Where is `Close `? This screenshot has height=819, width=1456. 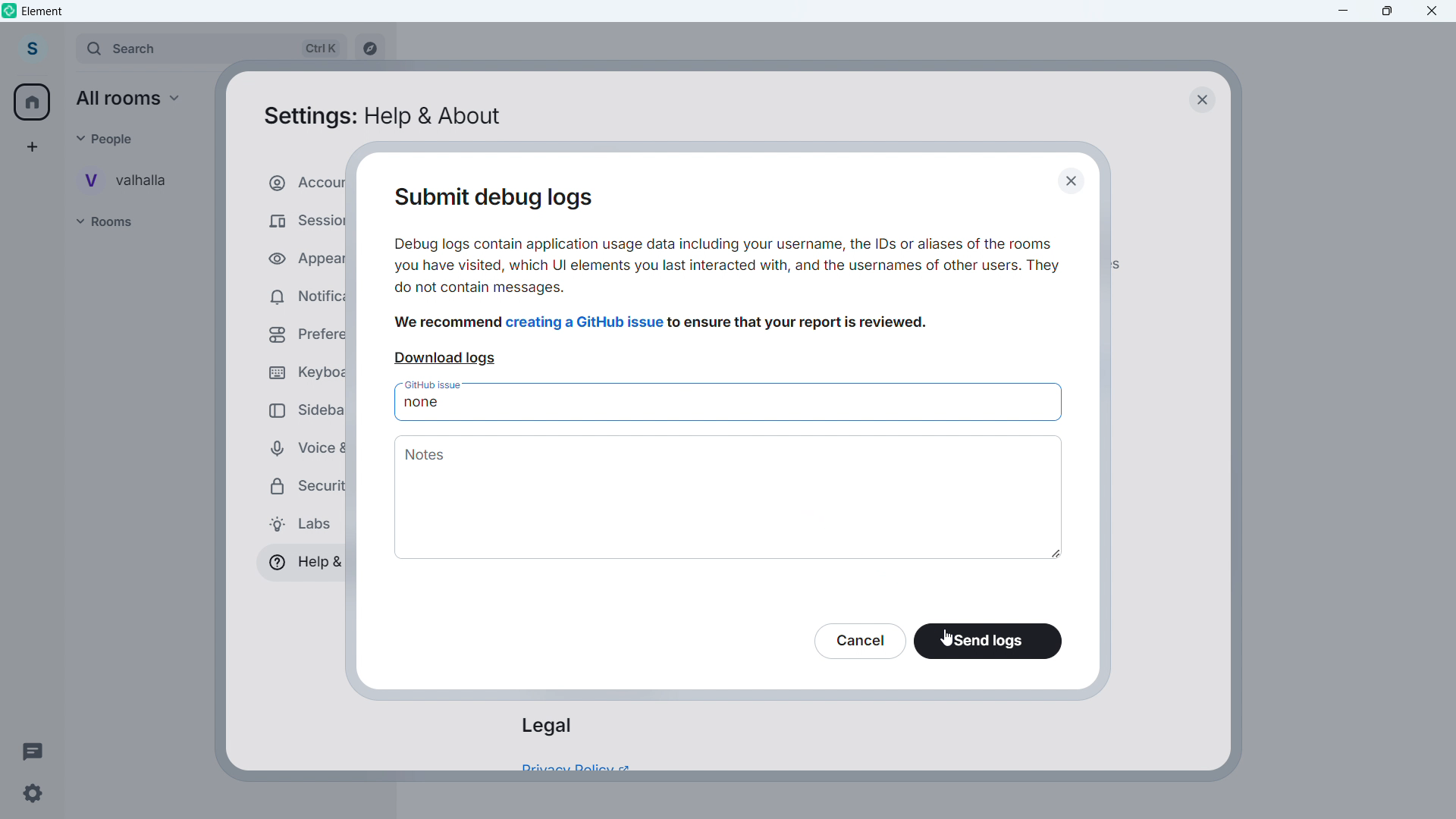
Close  is located at coordinates (1432, 11).